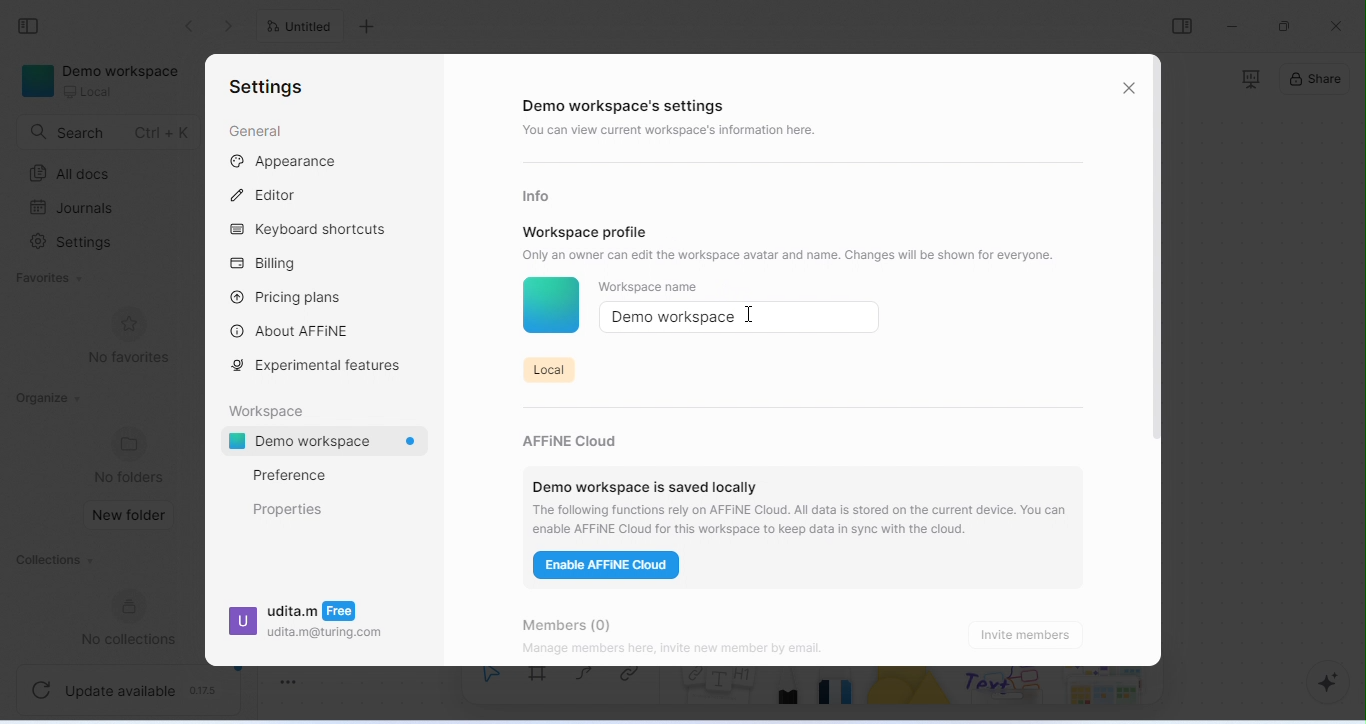 This screenshot has height=724, width=1366. I want to click on demo workspace's settings, so click(628, 107).